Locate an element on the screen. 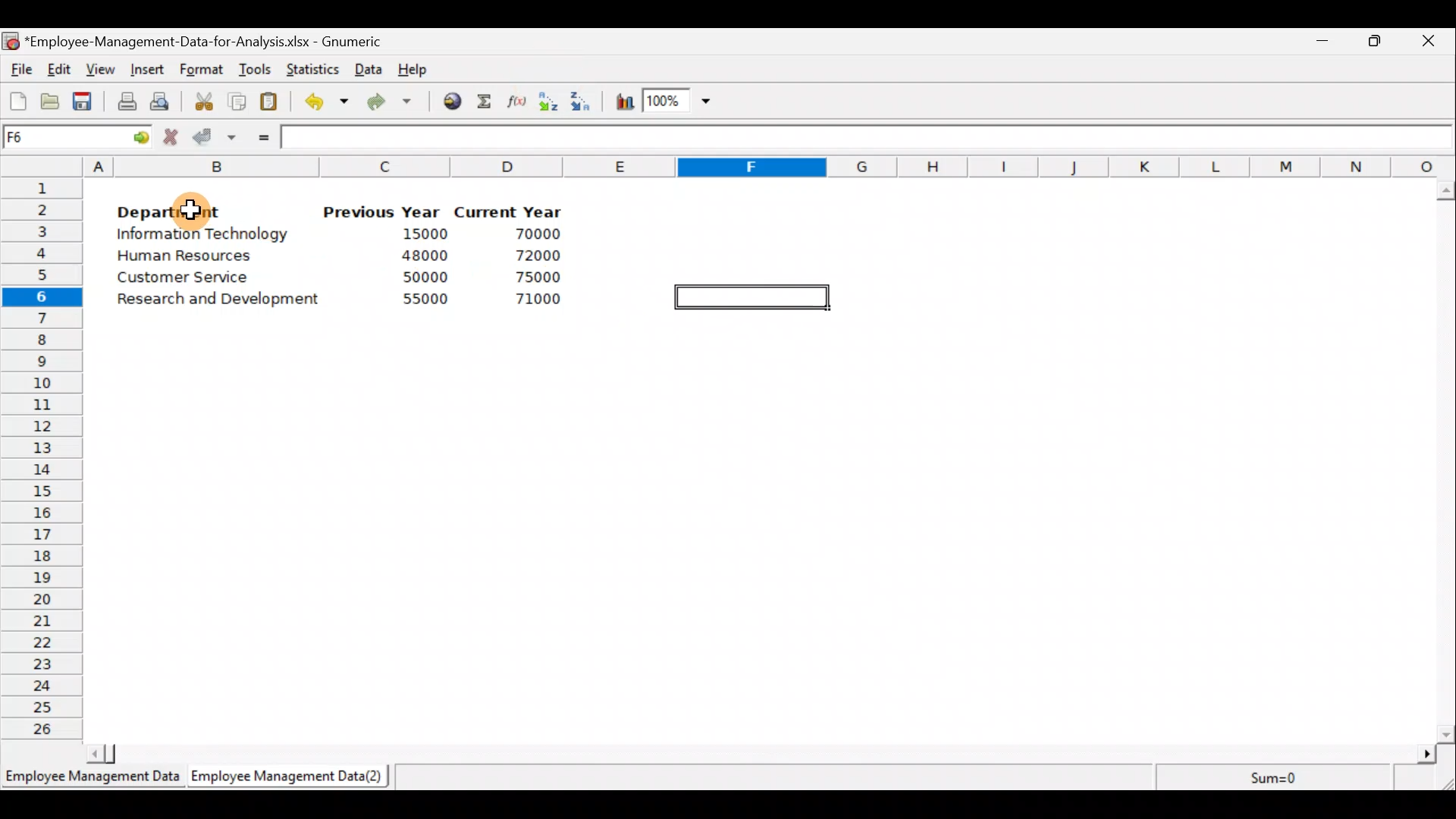 The width and height of the screenshot is (1456, 819). Print preview is located at coordinates (159, 99).